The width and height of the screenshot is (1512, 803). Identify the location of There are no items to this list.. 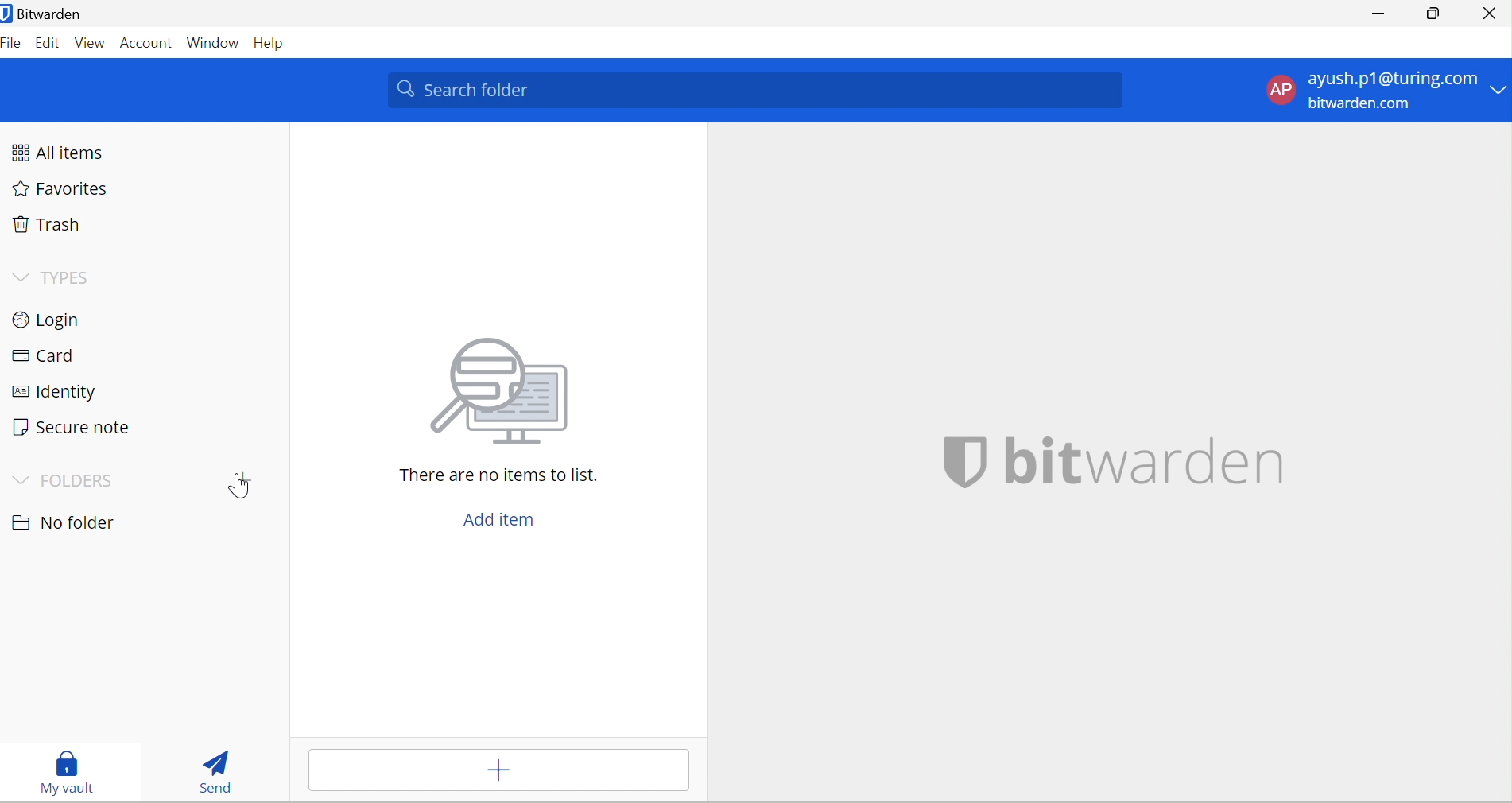
(504, 477).